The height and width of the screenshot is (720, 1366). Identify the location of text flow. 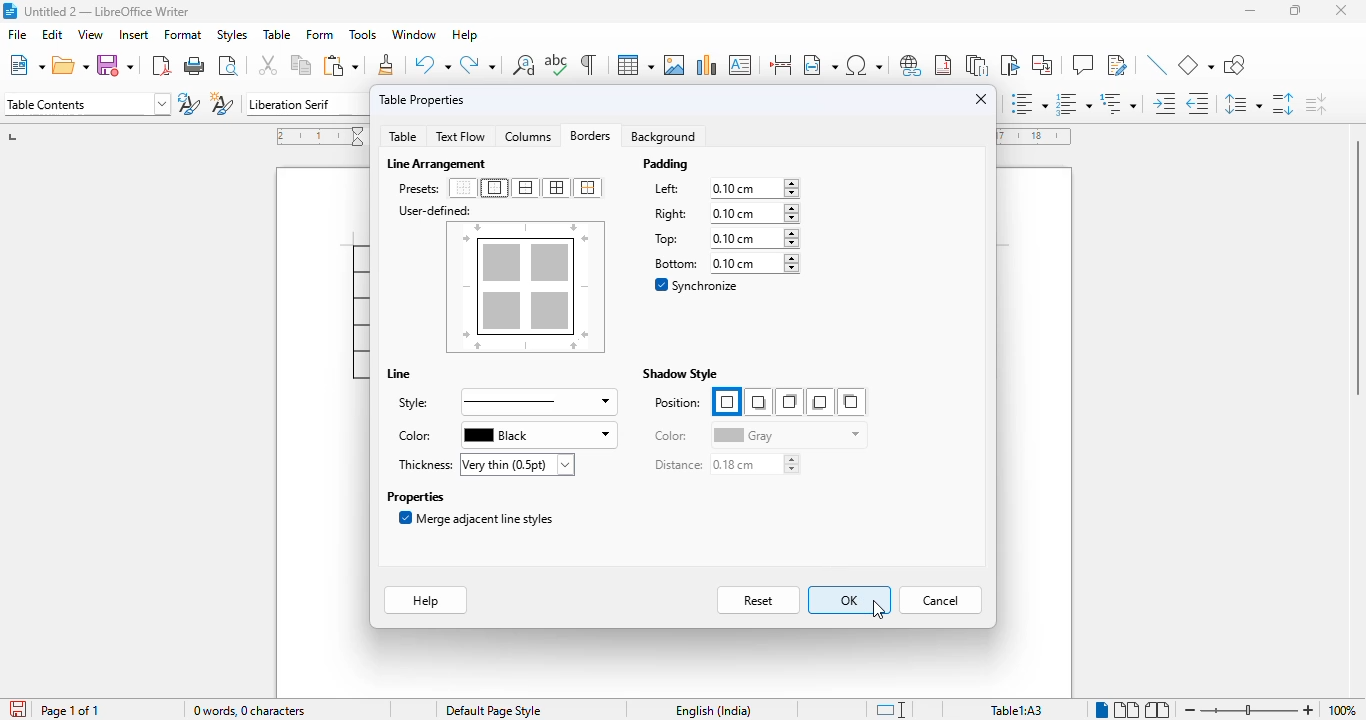
(460, 137).